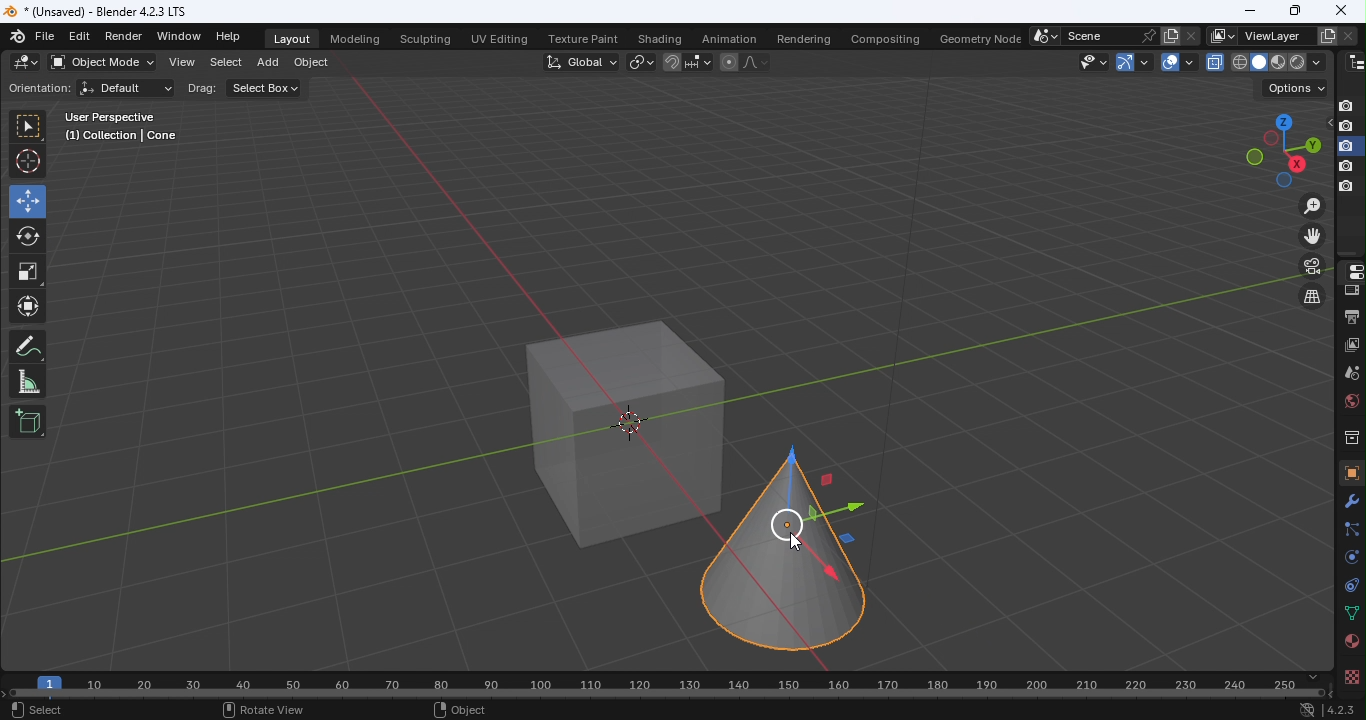 The image size is (1366, 720). What do you see at coordinates (27, 62) in the screenshot?
I see `Editor type` at bounding box center [27, 62].